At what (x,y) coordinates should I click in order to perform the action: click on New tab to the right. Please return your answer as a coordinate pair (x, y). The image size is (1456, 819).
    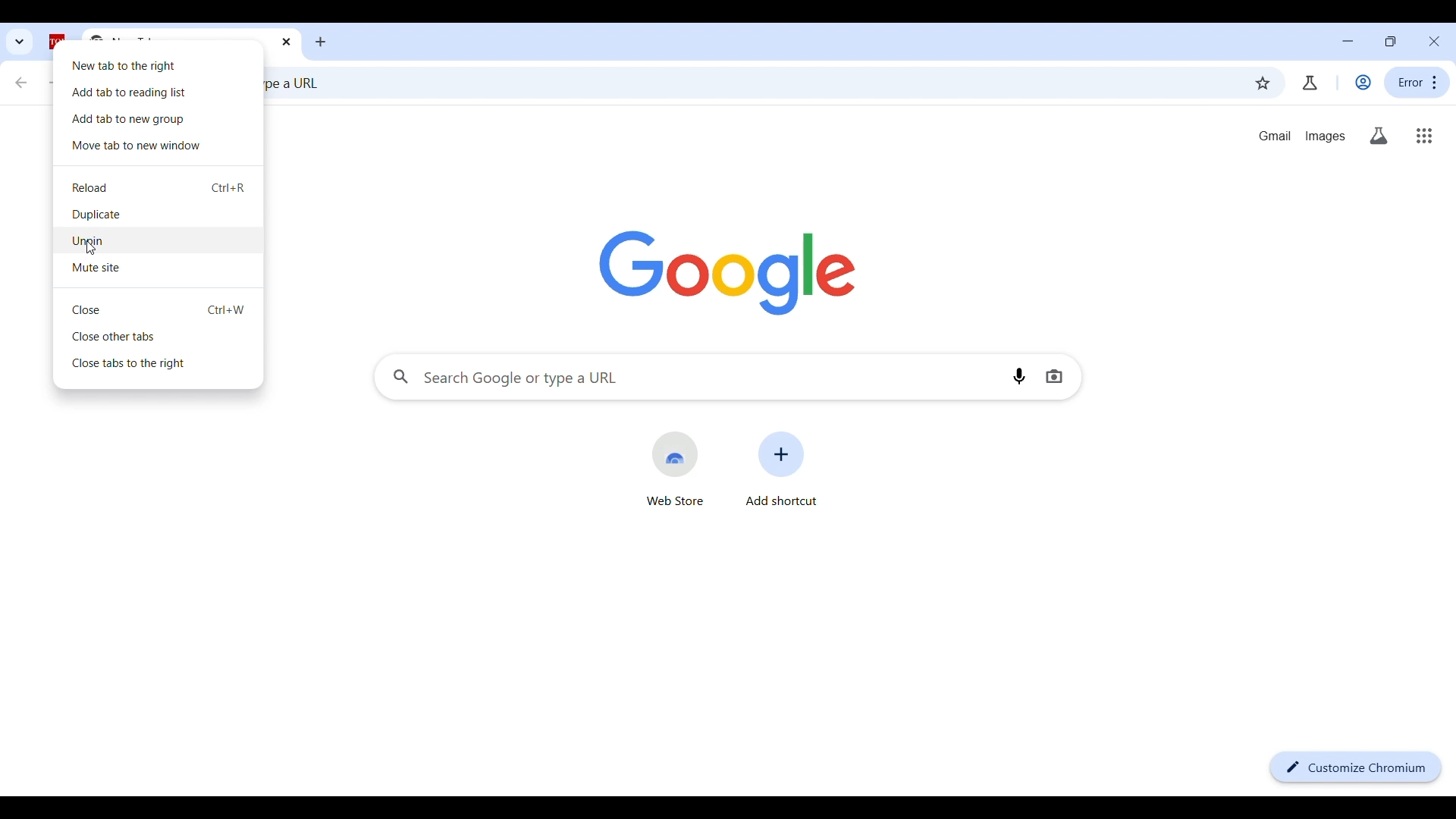
    Looking at the image, I should click on (160, 64).